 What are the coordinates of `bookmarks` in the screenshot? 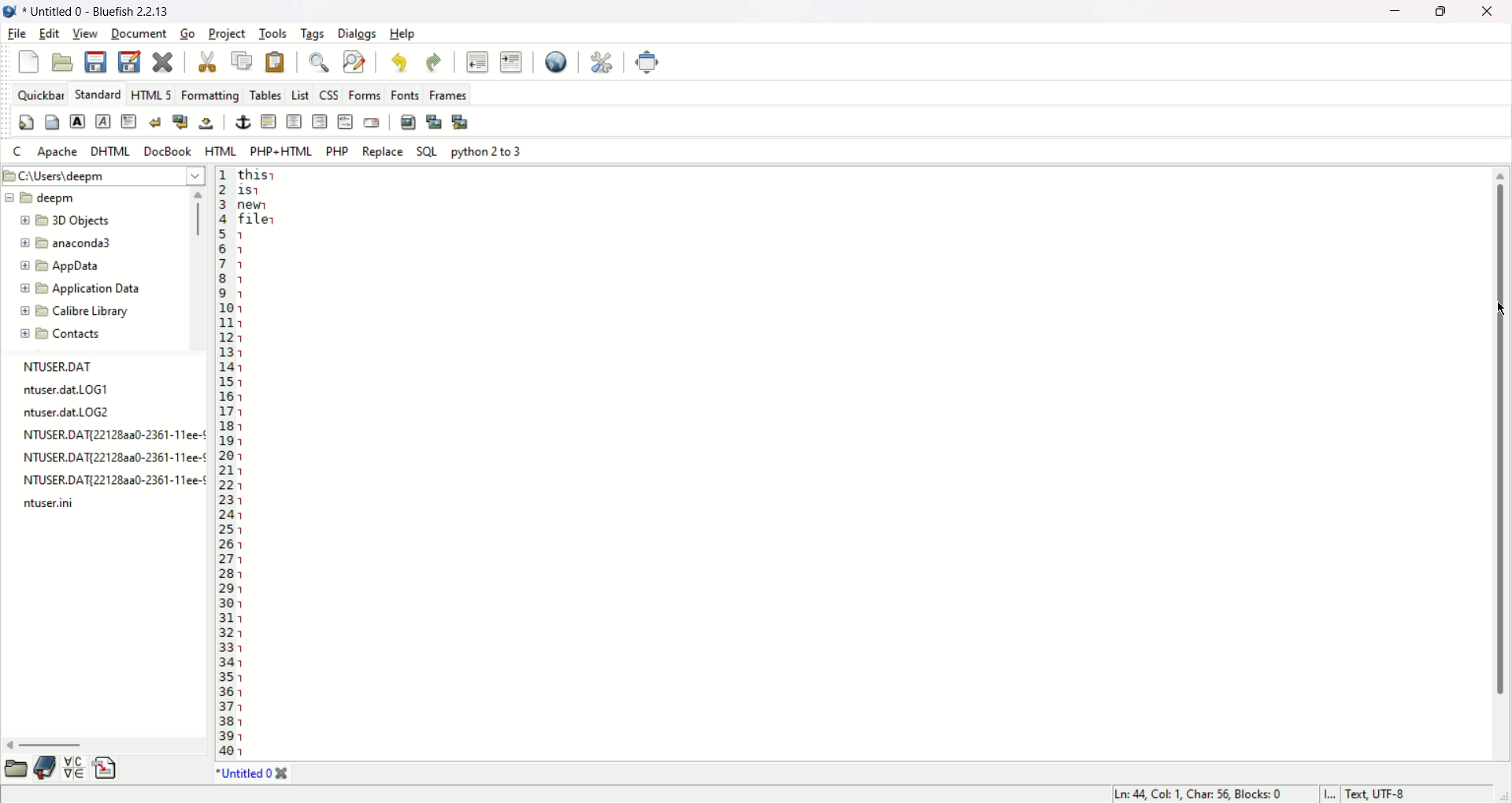 It's located at (46, 767).